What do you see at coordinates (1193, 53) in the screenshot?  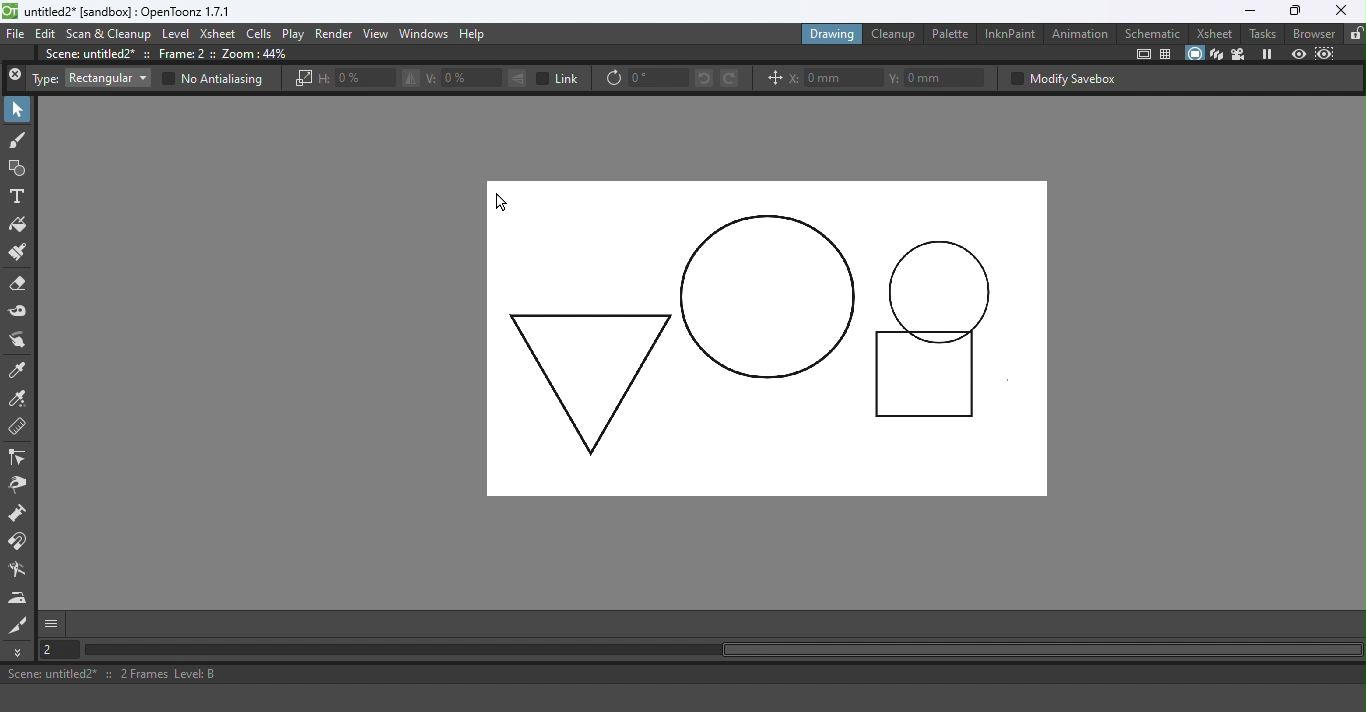 I see `Camera stand view` at bounding box center [1193, 53].